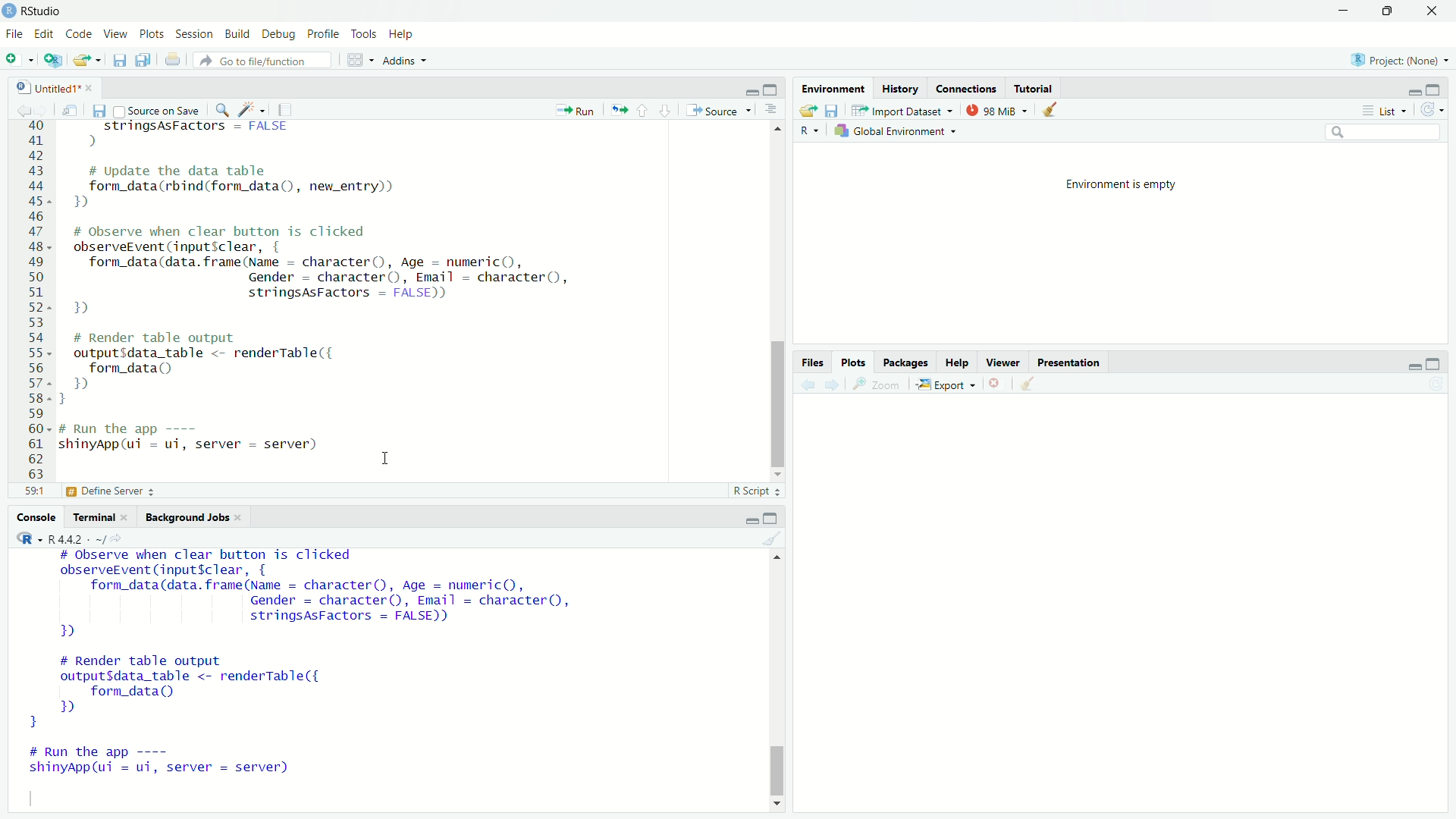 Image resolution: width=1456 pixels, height=819 pixels. I want to click on view a larger version of the plot in new window, so click(876, 384).